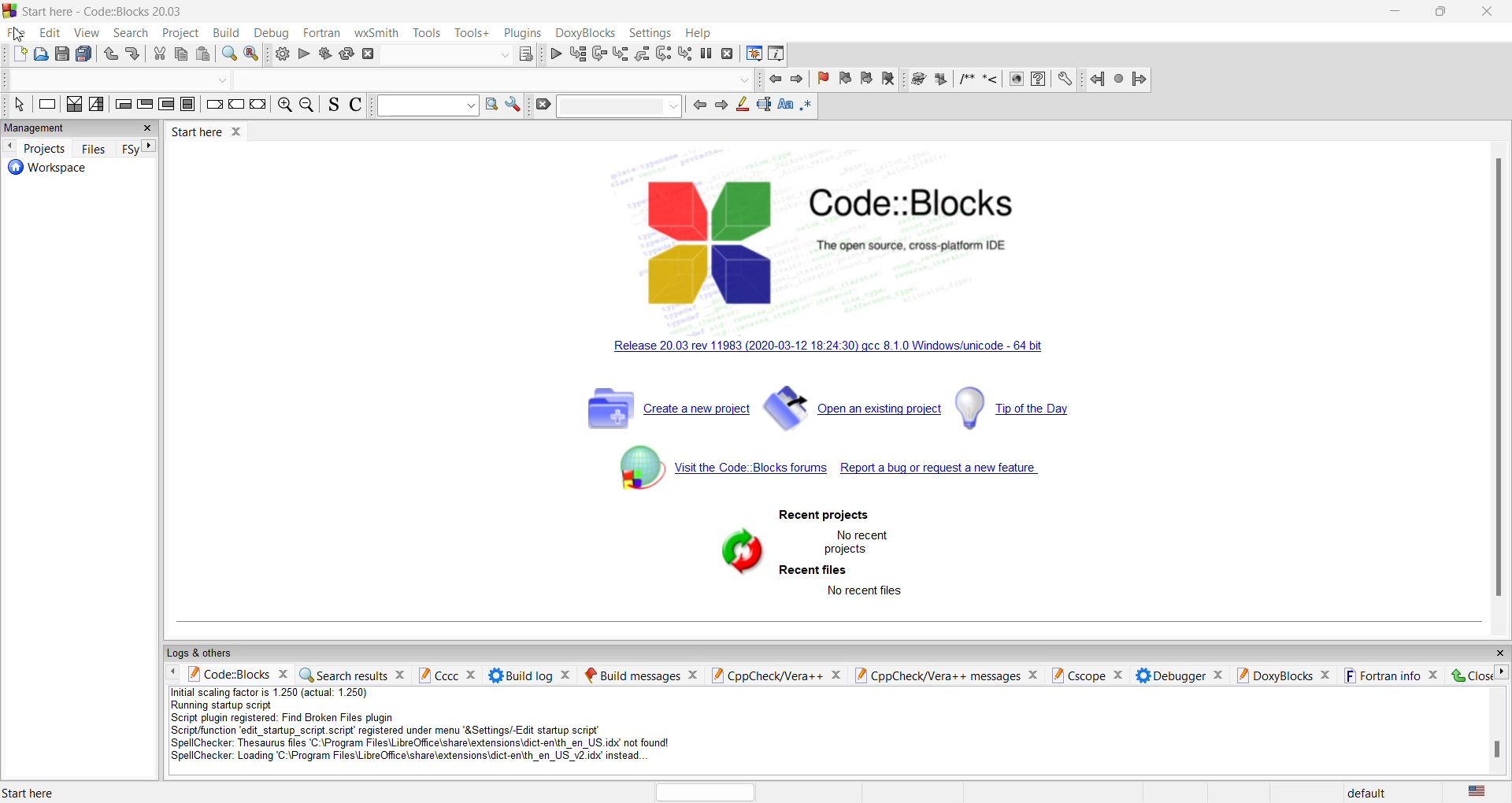 The width and height of the screenshot is (1512, 803). What do you see at coordinates (309, 106) in the screenshot?
I see `zoom out` at bounding box center [309, 106].